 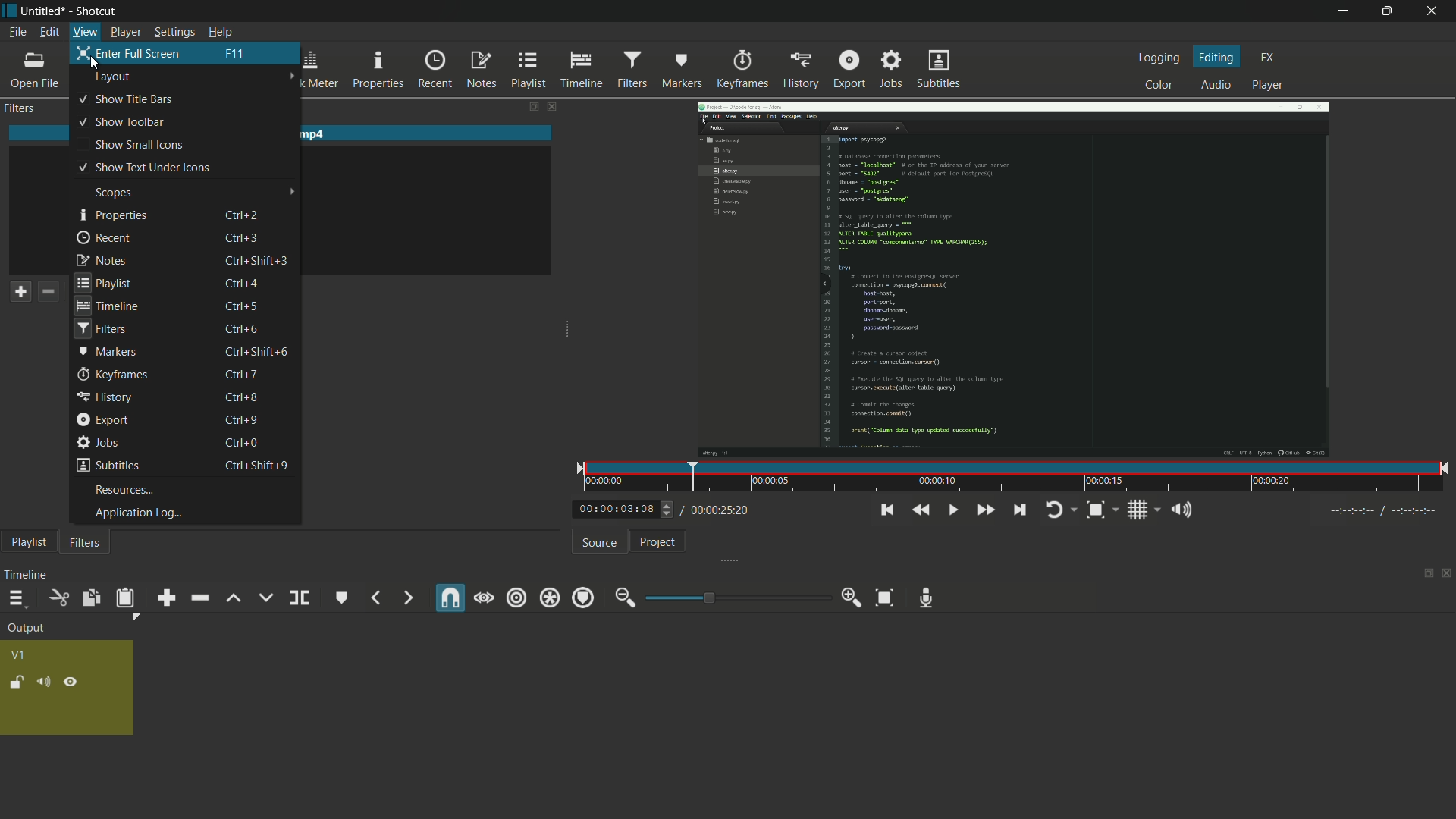 What do you see at coordinates (101, 259) in the screenshot?
I see `notes` at bounding box center [101, 259].